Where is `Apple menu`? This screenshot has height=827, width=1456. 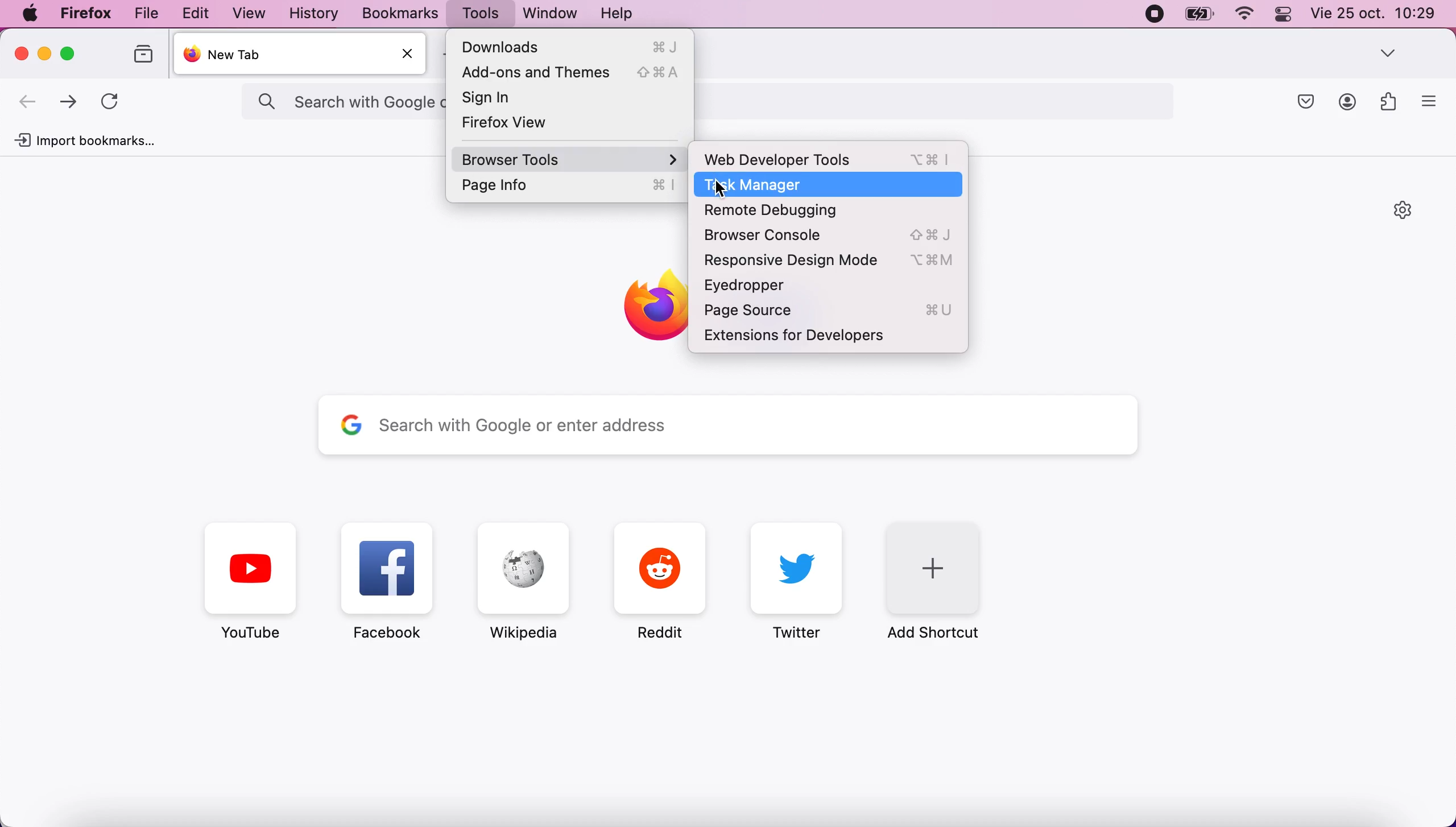
Apple menu is located at coordinates (30, 13).